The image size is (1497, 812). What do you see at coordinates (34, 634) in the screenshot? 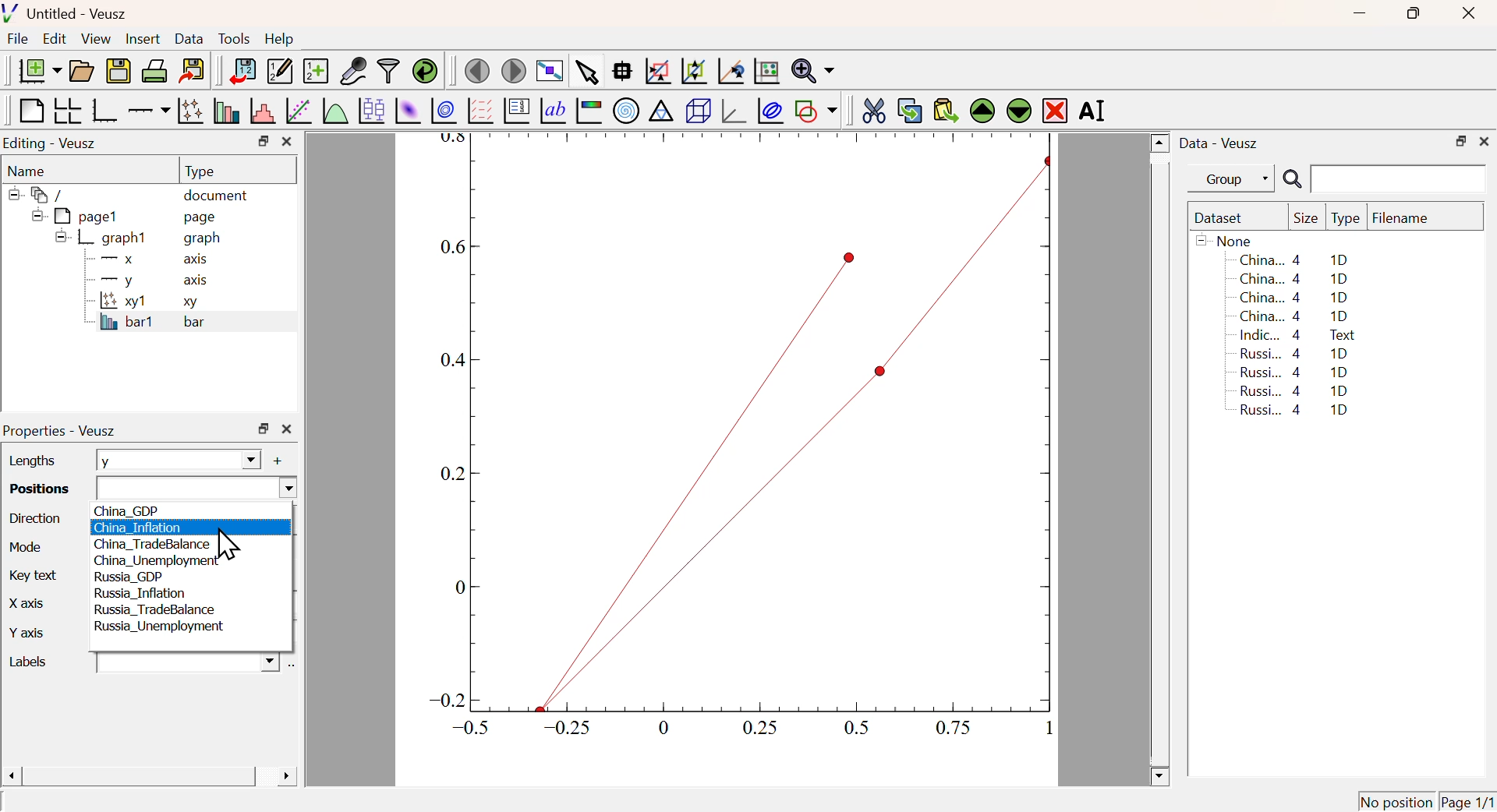
I see `Y axis` at bounding box center [34, 634].